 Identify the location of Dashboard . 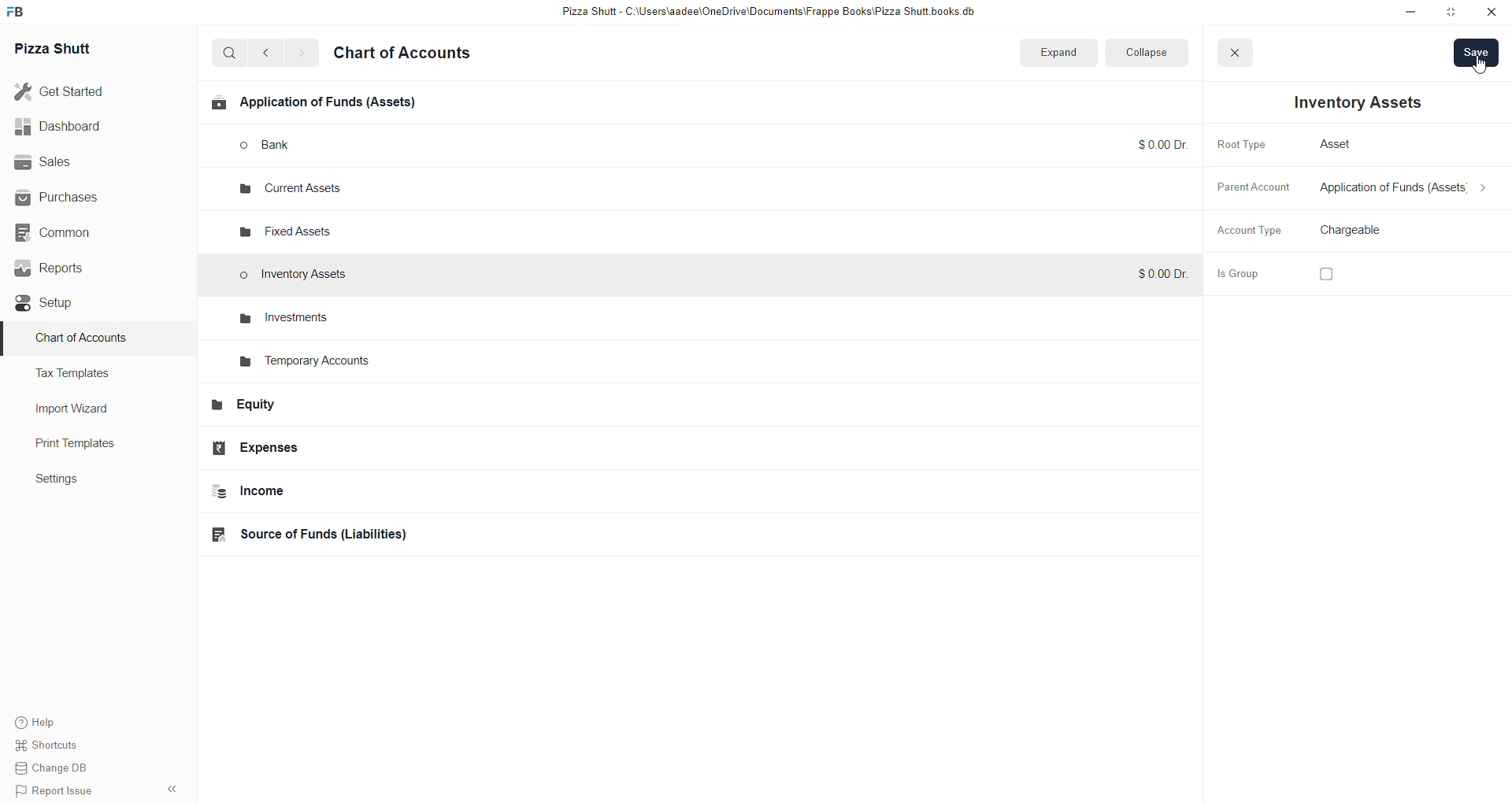
(69, 128).